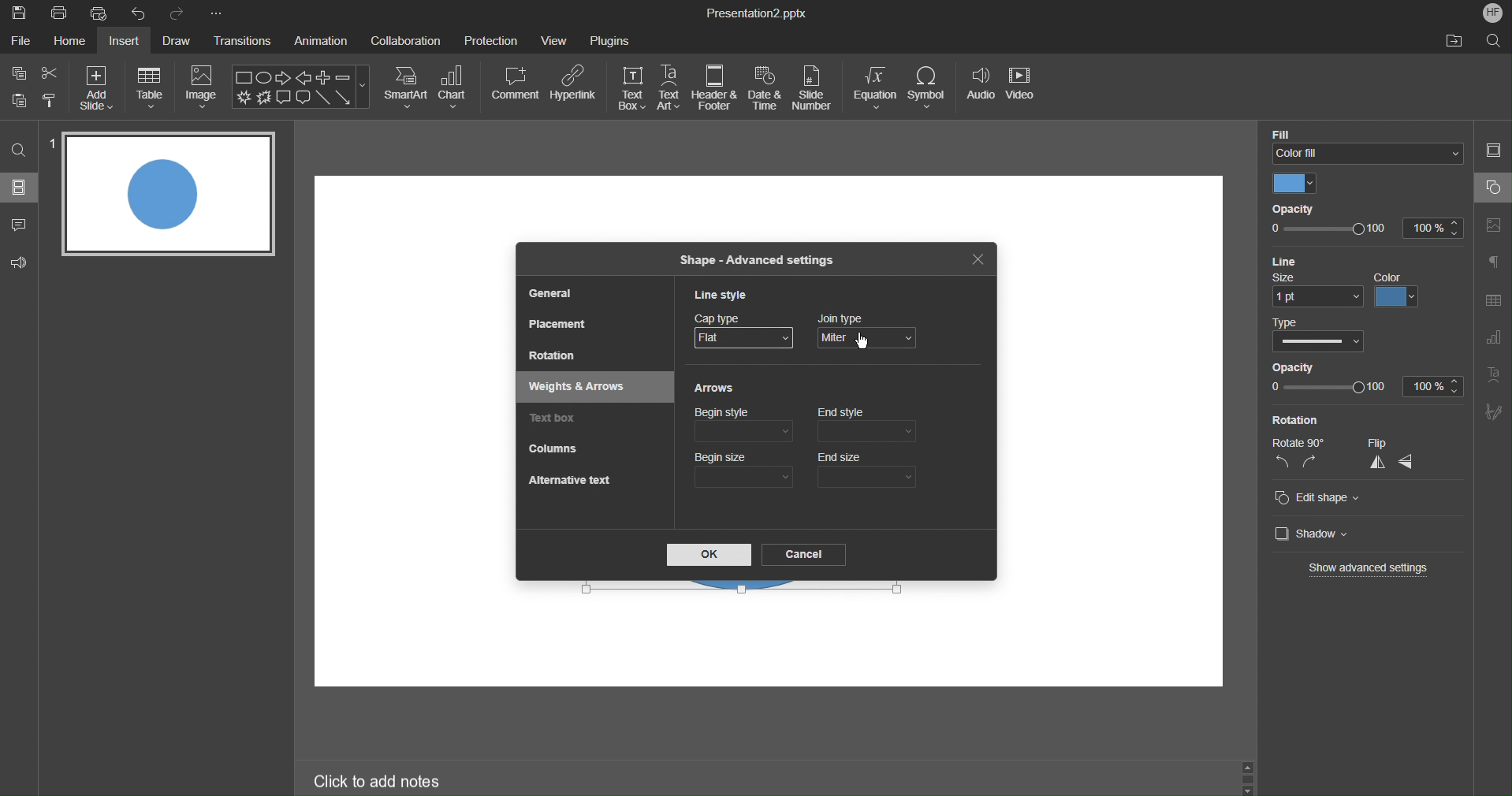 The height and width of the screenshot is (796, 1512). What do you see at coordinates (1298, 209) in the screenshot?
I see `Opacity` at bounding box center [1298, 209].